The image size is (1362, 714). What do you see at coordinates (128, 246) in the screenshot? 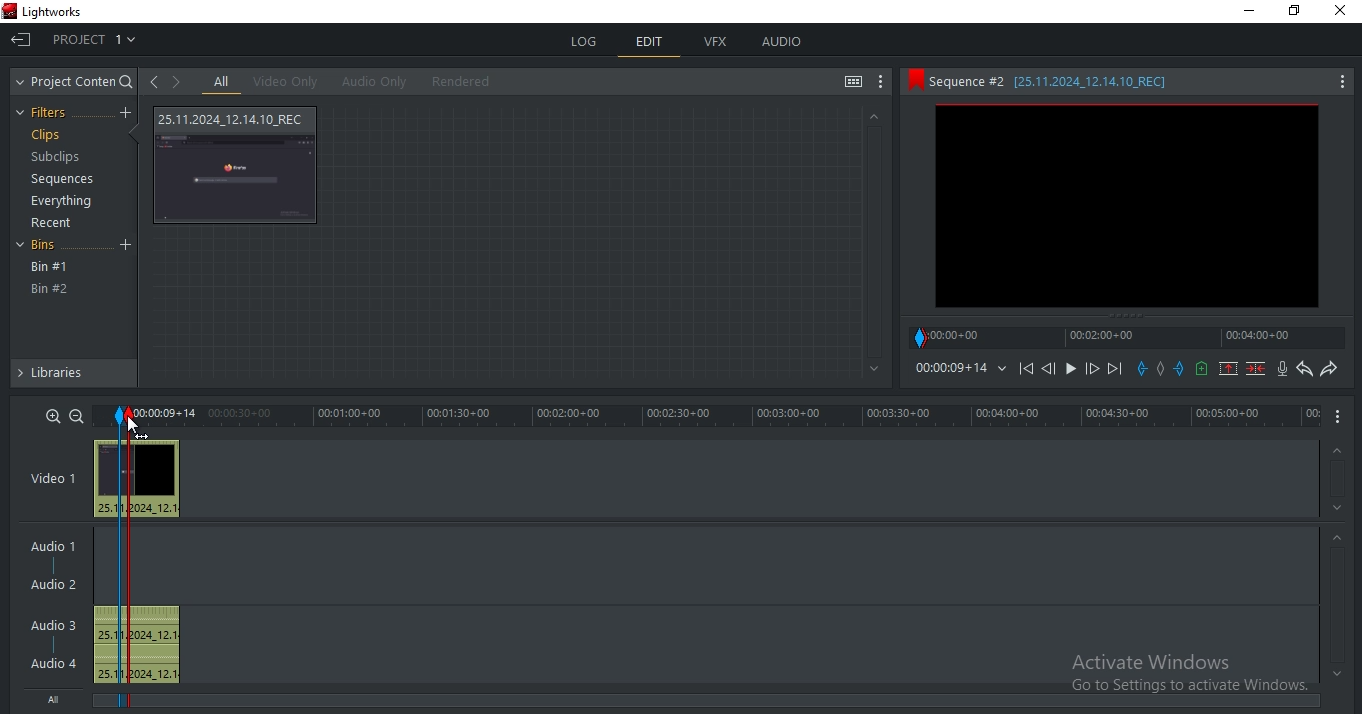
I see `Add Bin` at bounding box center [128, 246].